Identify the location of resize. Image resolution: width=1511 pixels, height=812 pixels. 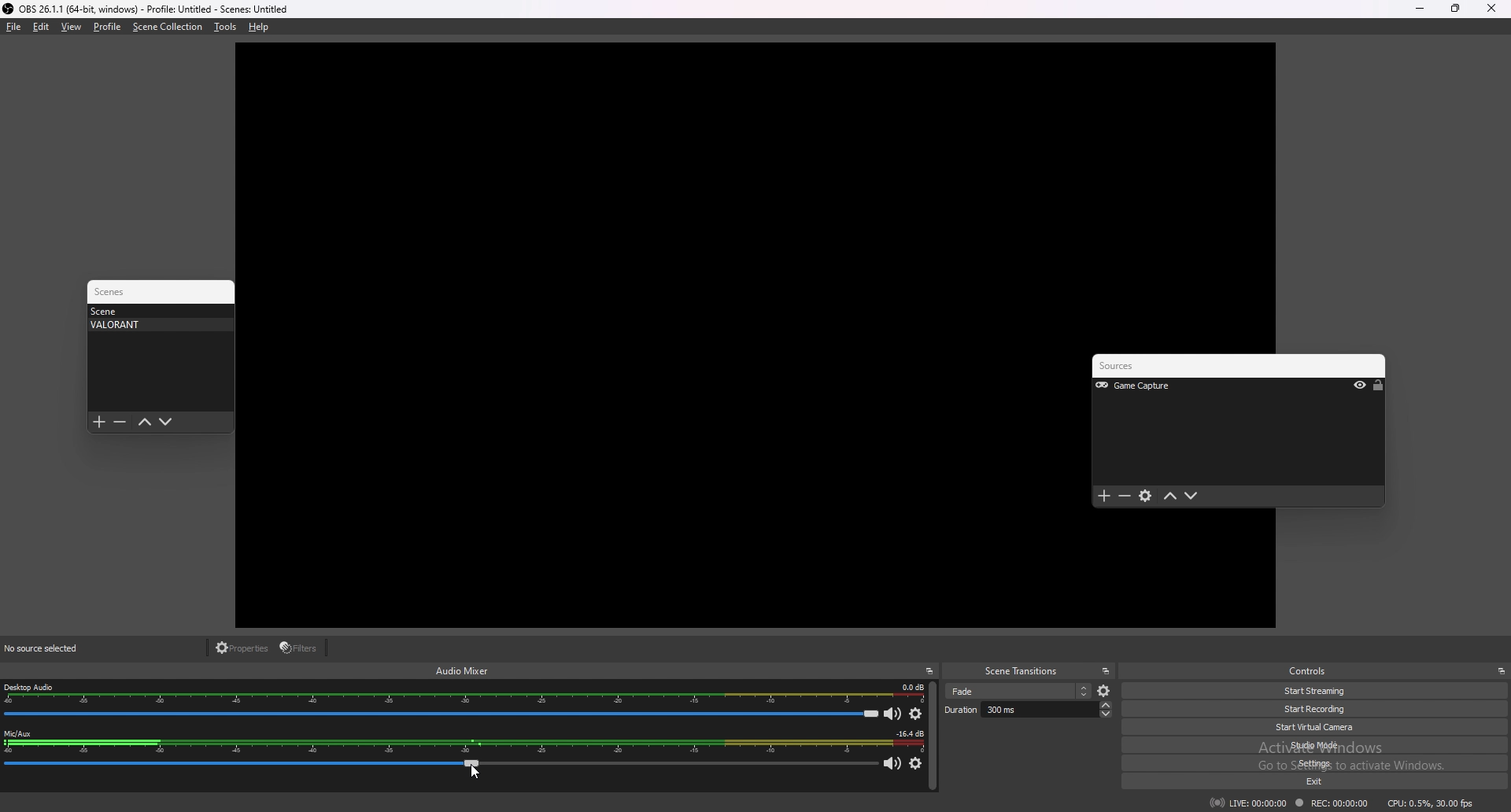
(1455, 8).